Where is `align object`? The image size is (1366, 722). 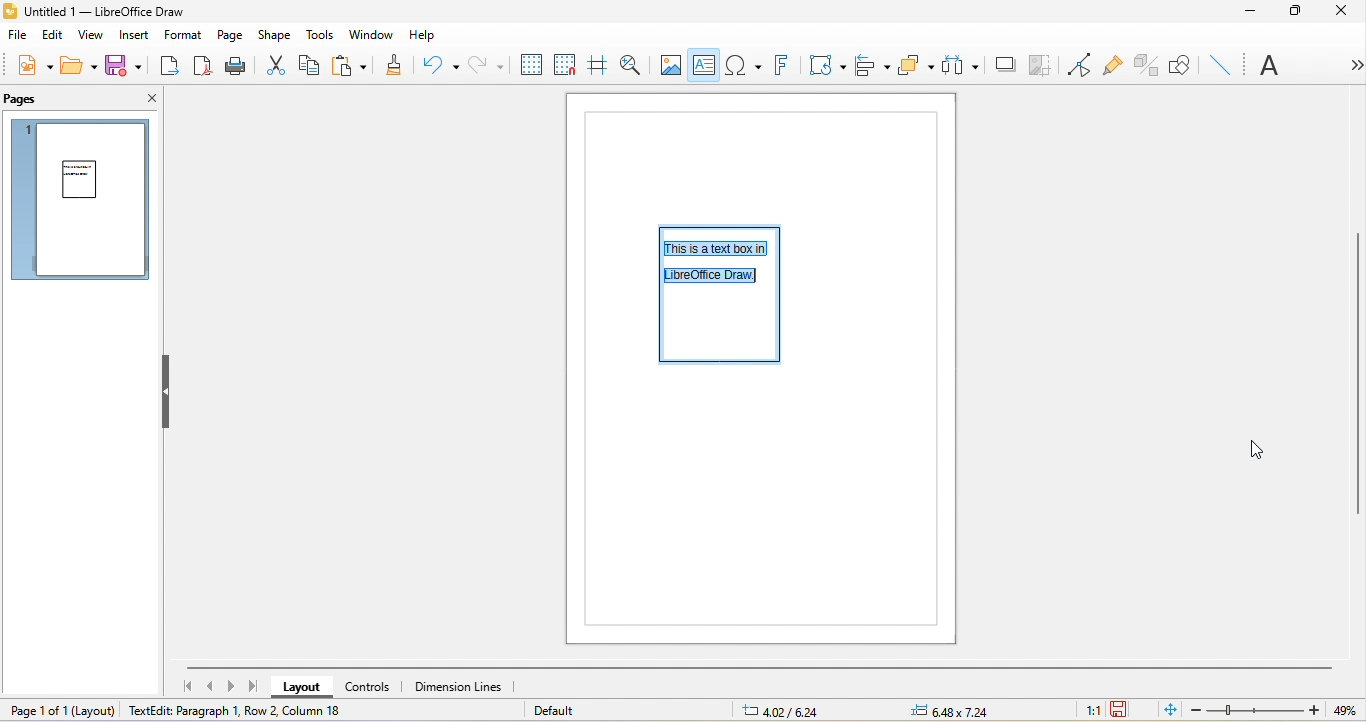
align object is located at coordinates (871, 67).